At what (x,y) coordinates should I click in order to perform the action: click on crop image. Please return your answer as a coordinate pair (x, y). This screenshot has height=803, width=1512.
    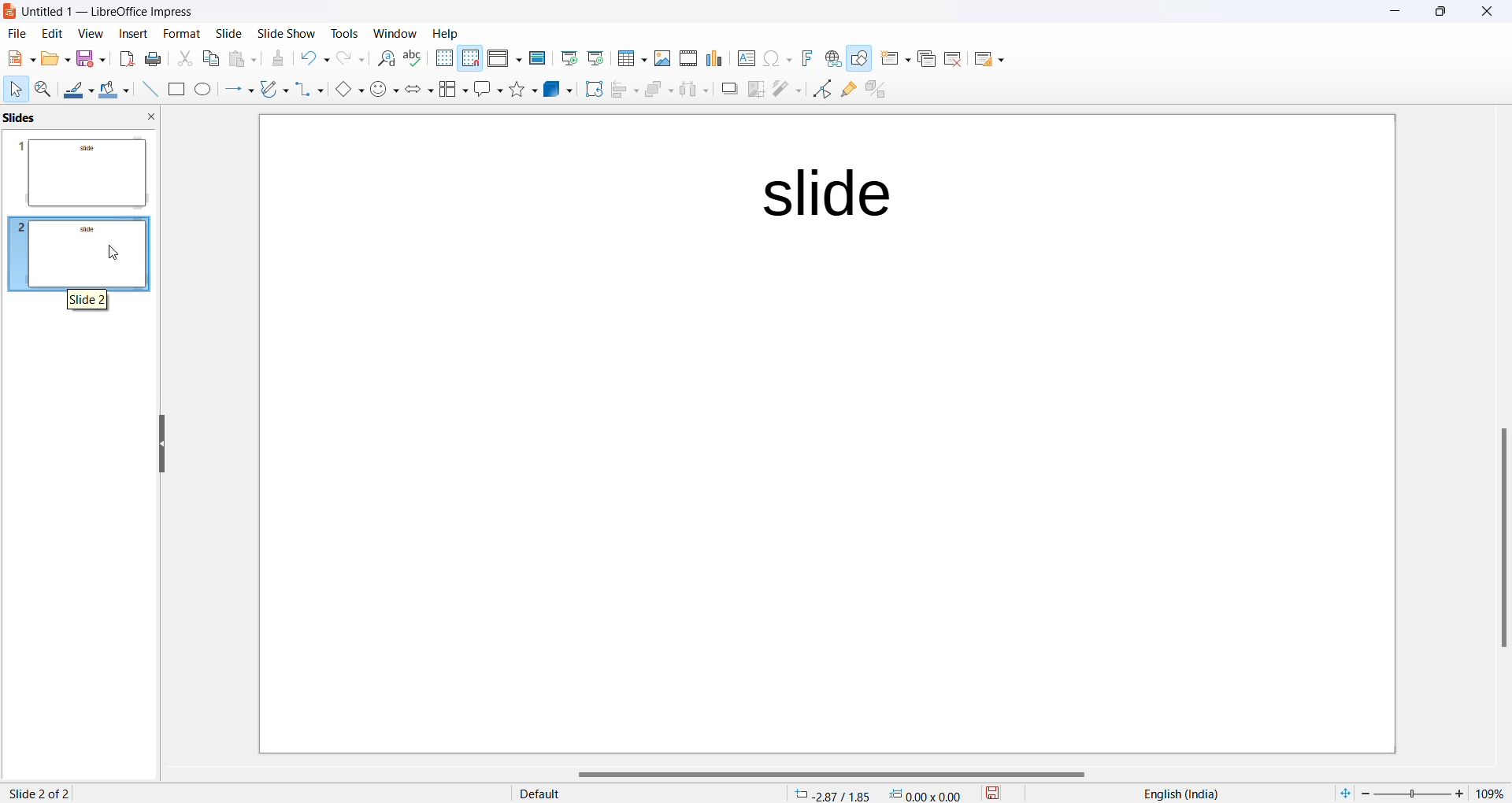
    Looking at the image, I should click on (754, 90).